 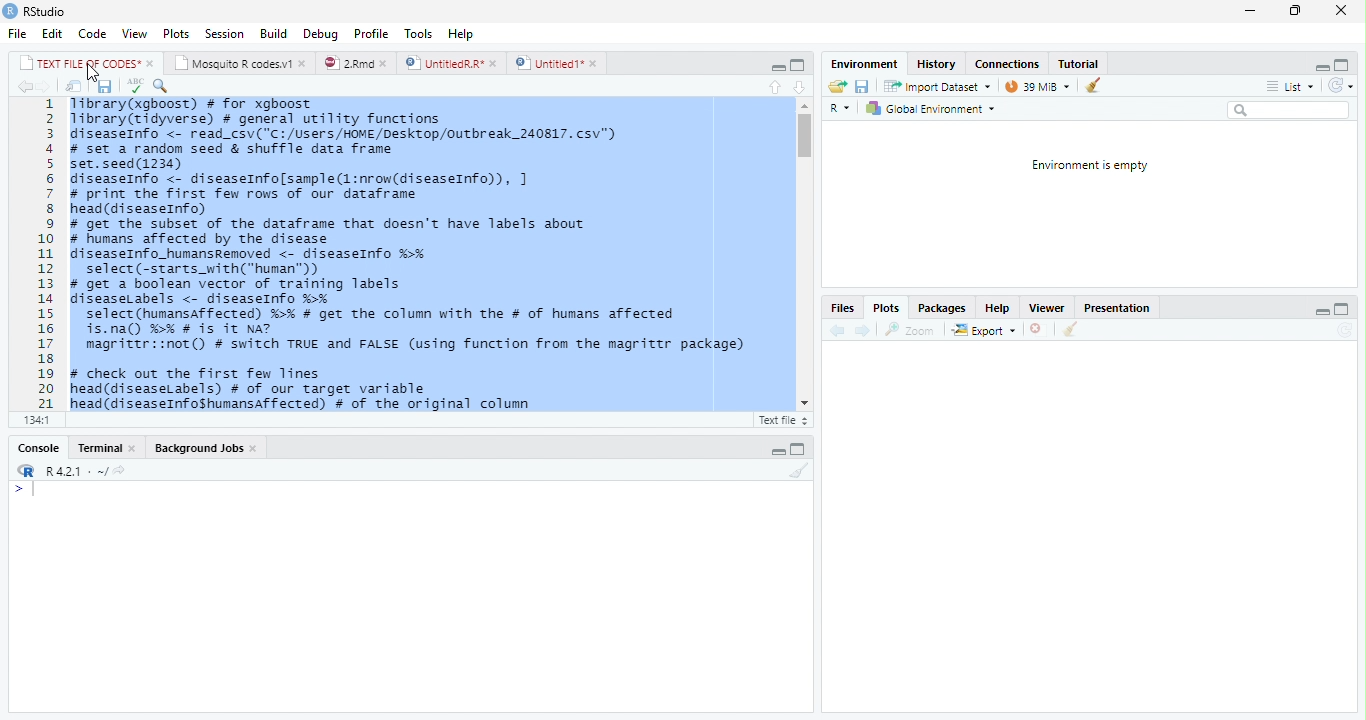 What do you see at coordinates (795, 471) in the screenshot?
I see `Clean` at bounding box center [795, 471].